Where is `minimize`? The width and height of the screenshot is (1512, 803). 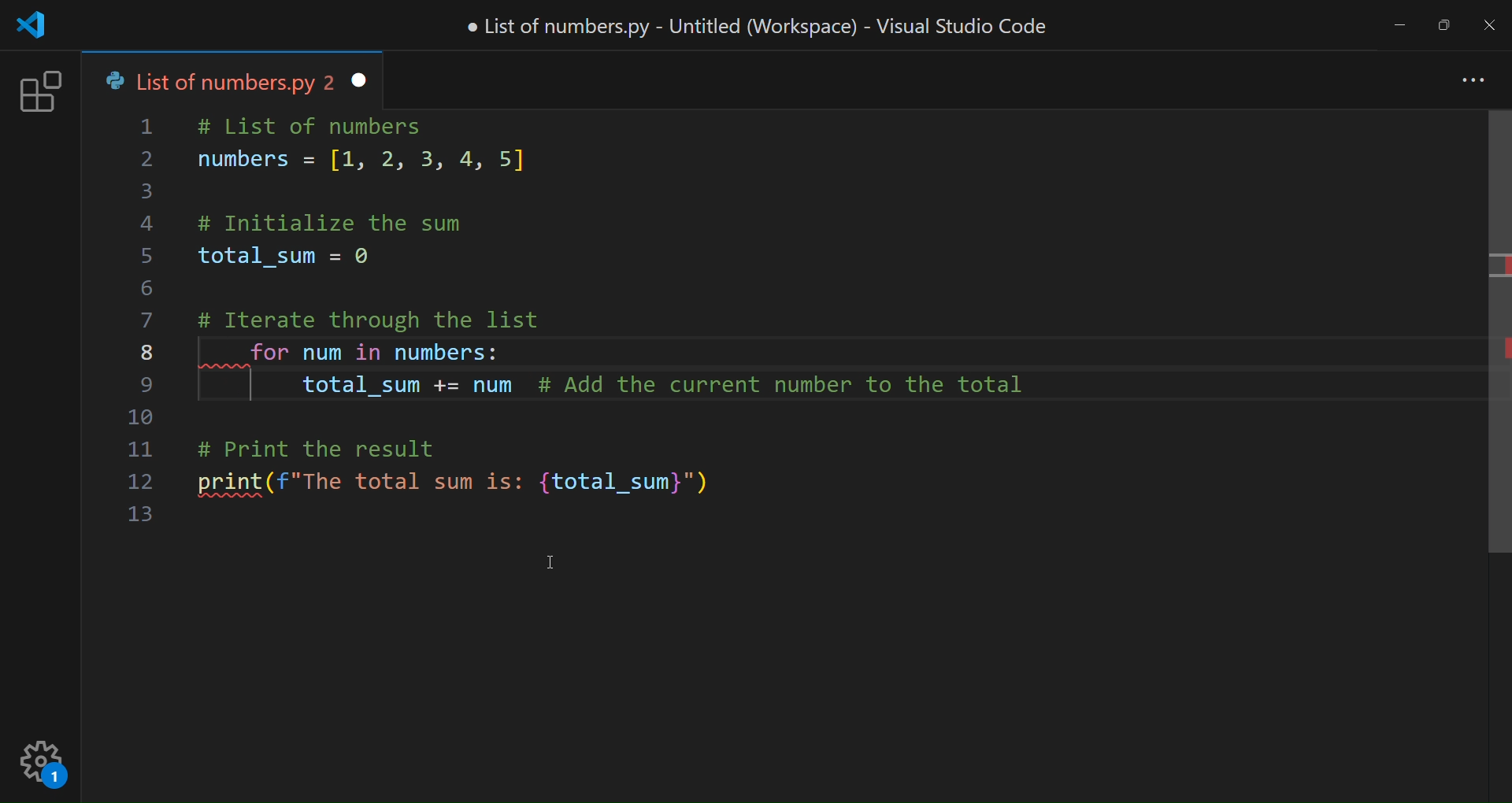
minimize is located at coordinates (1401, 24).